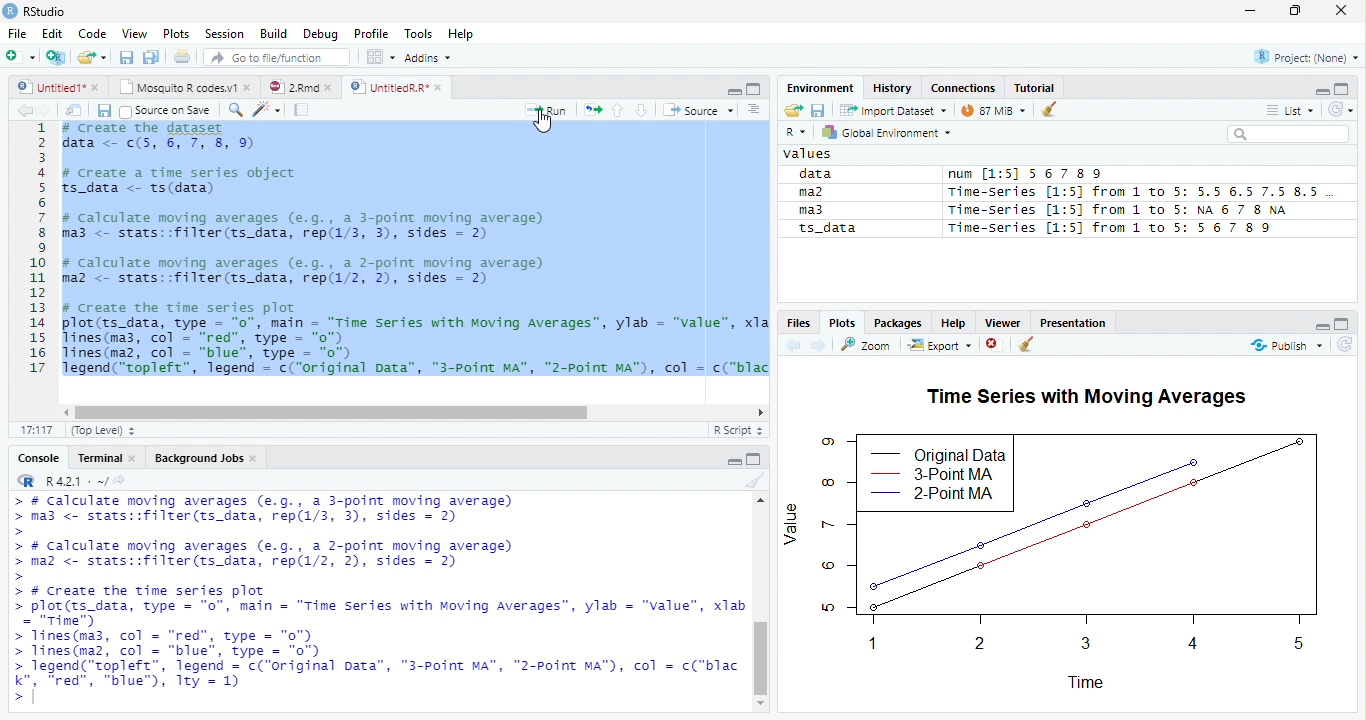 This screenshot has height=720, width=1366. What do you see at coordinates (736, 430) in the screenshot?
I see `R Script` at bounding box center [736, 430].